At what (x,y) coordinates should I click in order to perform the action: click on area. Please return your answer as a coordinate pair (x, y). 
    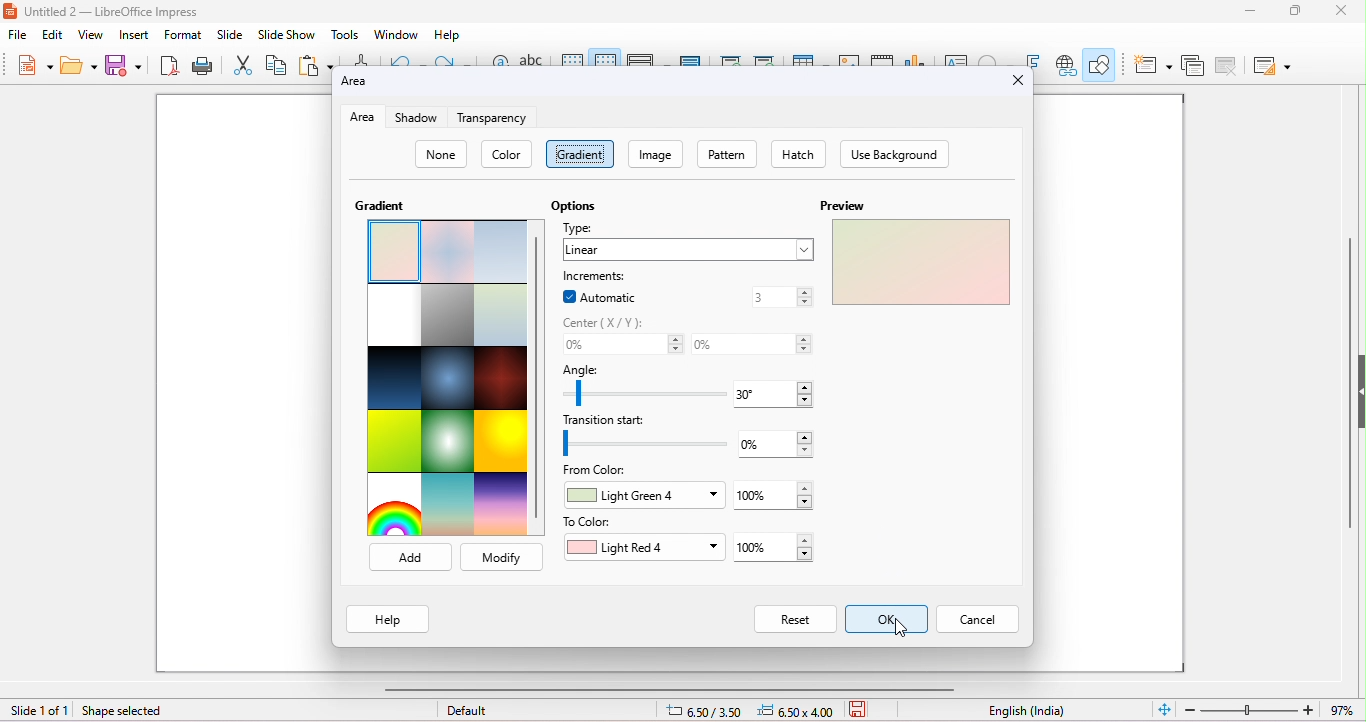
    Looking at the image, I should click on (366, 84).